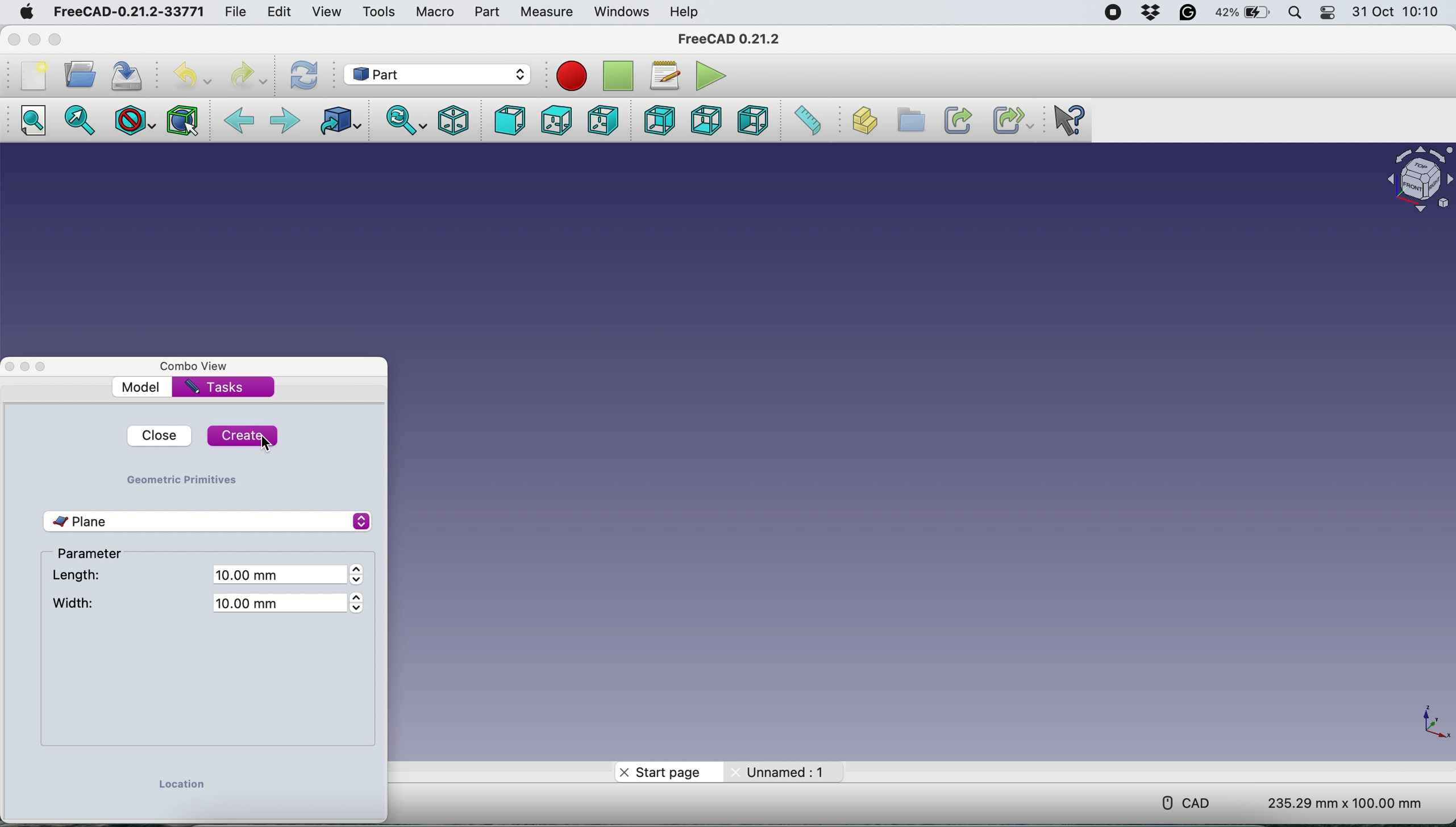  Describe the element at coordinates (1192, 804) in the screenshot. I see `CAD` at that location.